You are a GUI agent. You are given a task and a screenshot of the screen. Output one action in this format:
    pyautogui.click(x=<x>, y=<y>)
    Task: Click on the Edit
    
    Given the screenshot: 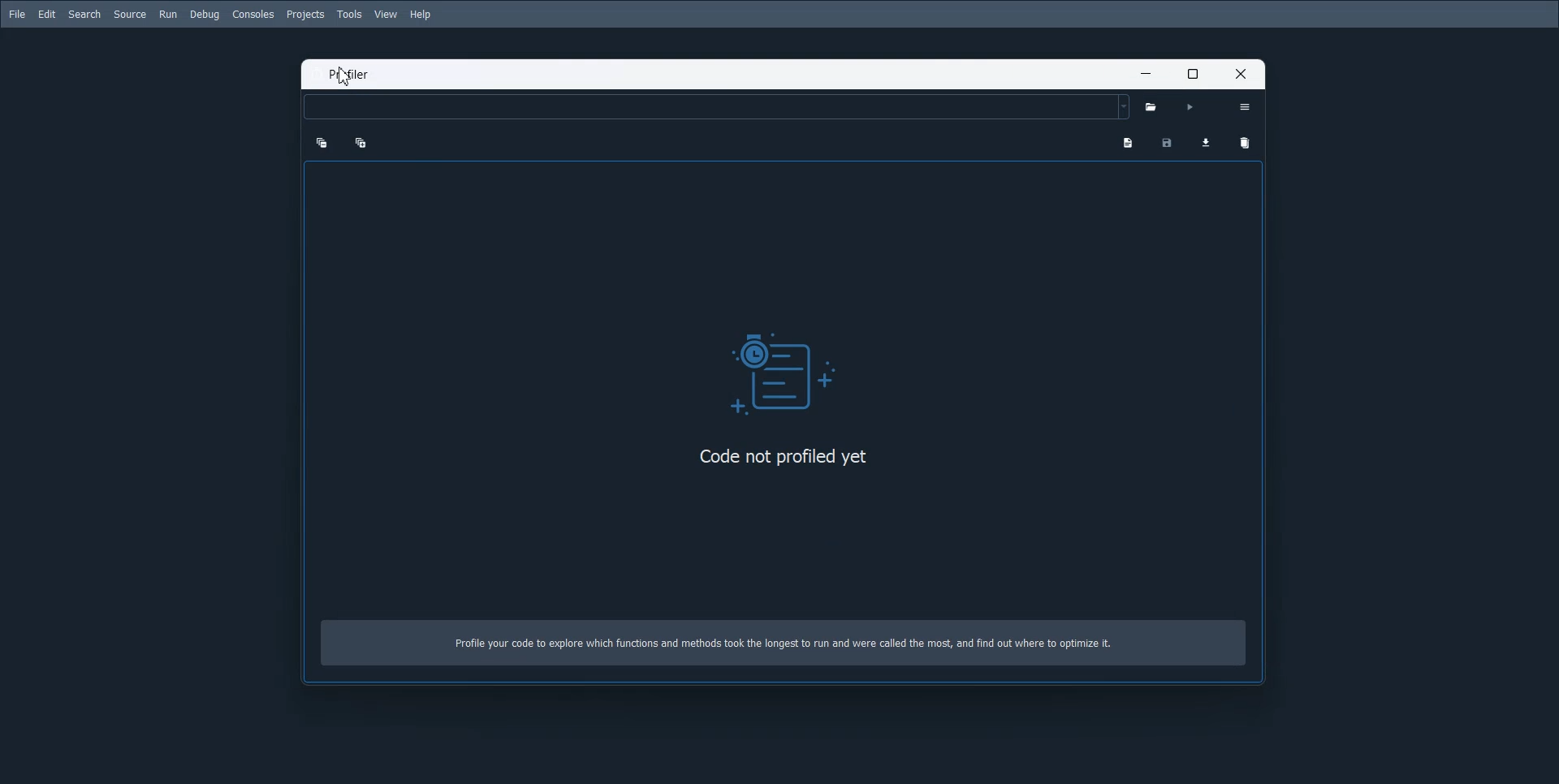 What is the action you would take?
    pyautogui.click(x=47, y=14)
    